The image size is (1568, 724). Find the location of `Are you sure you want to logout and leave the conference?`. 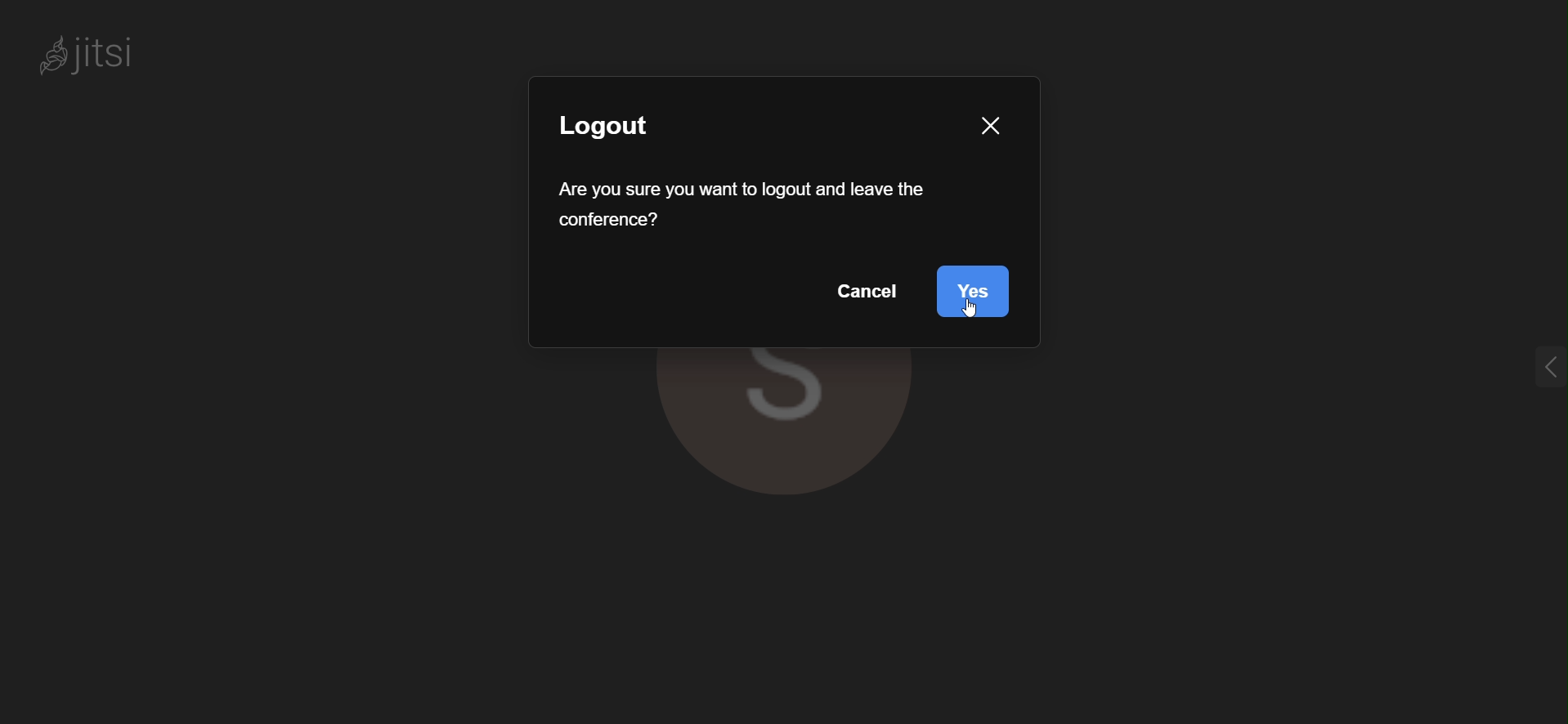

Are you sure you want to logout and leave the conference? is located at coordinates (744, 208).